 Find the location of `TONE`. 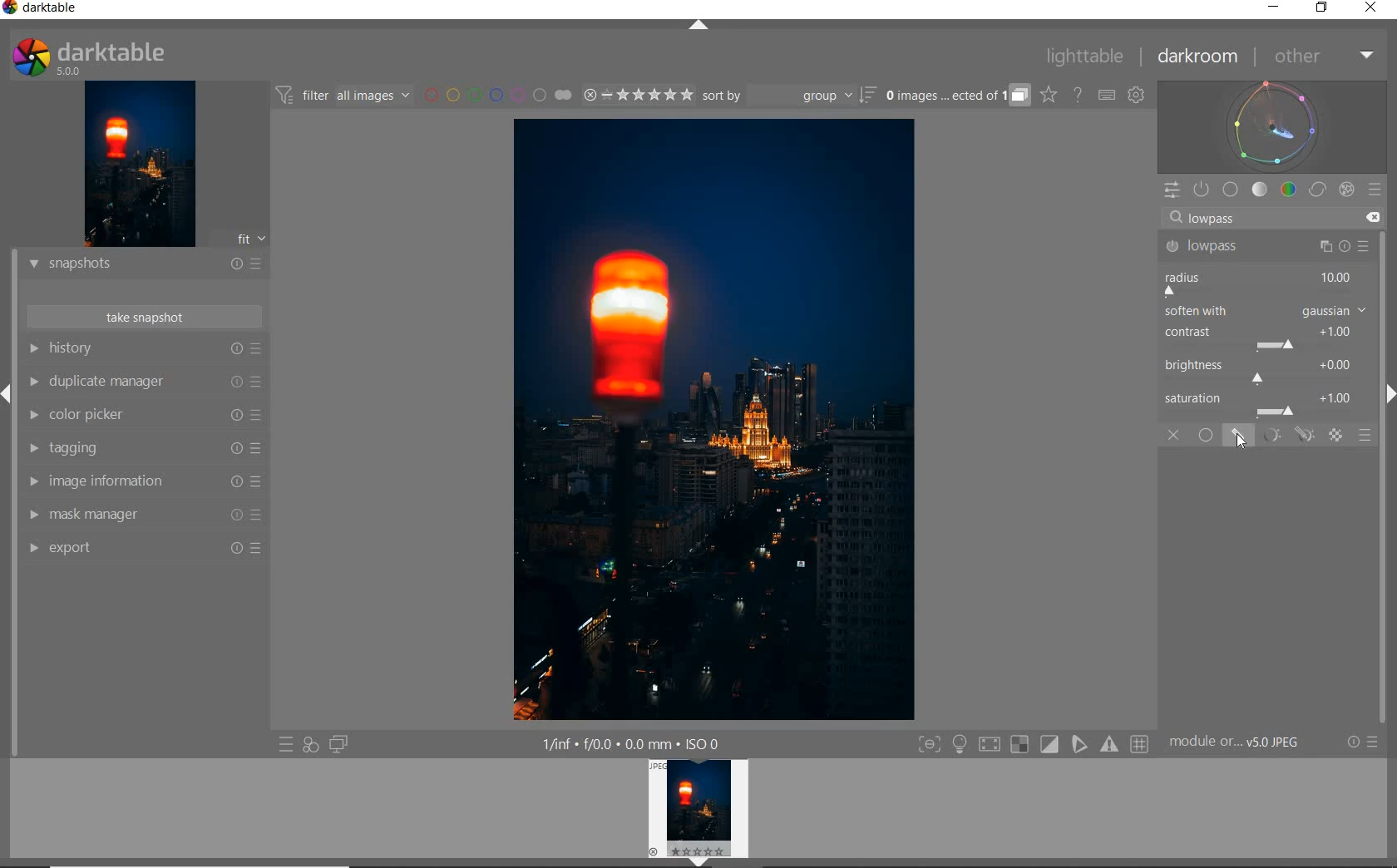

TONE is located at coordinates (1260, 190).